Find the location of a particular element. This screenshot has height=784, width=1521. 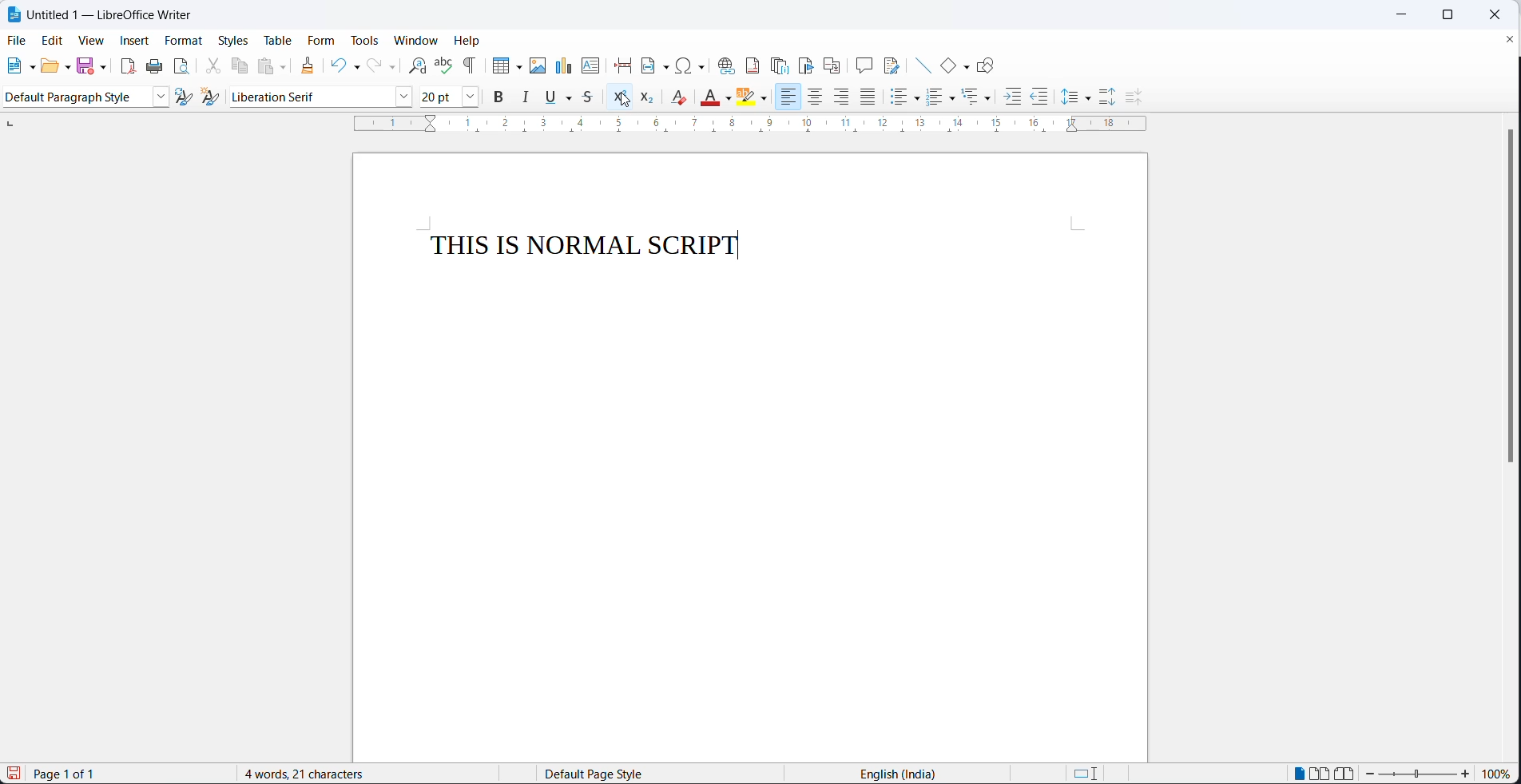

print is located at coordinates (153, 68).